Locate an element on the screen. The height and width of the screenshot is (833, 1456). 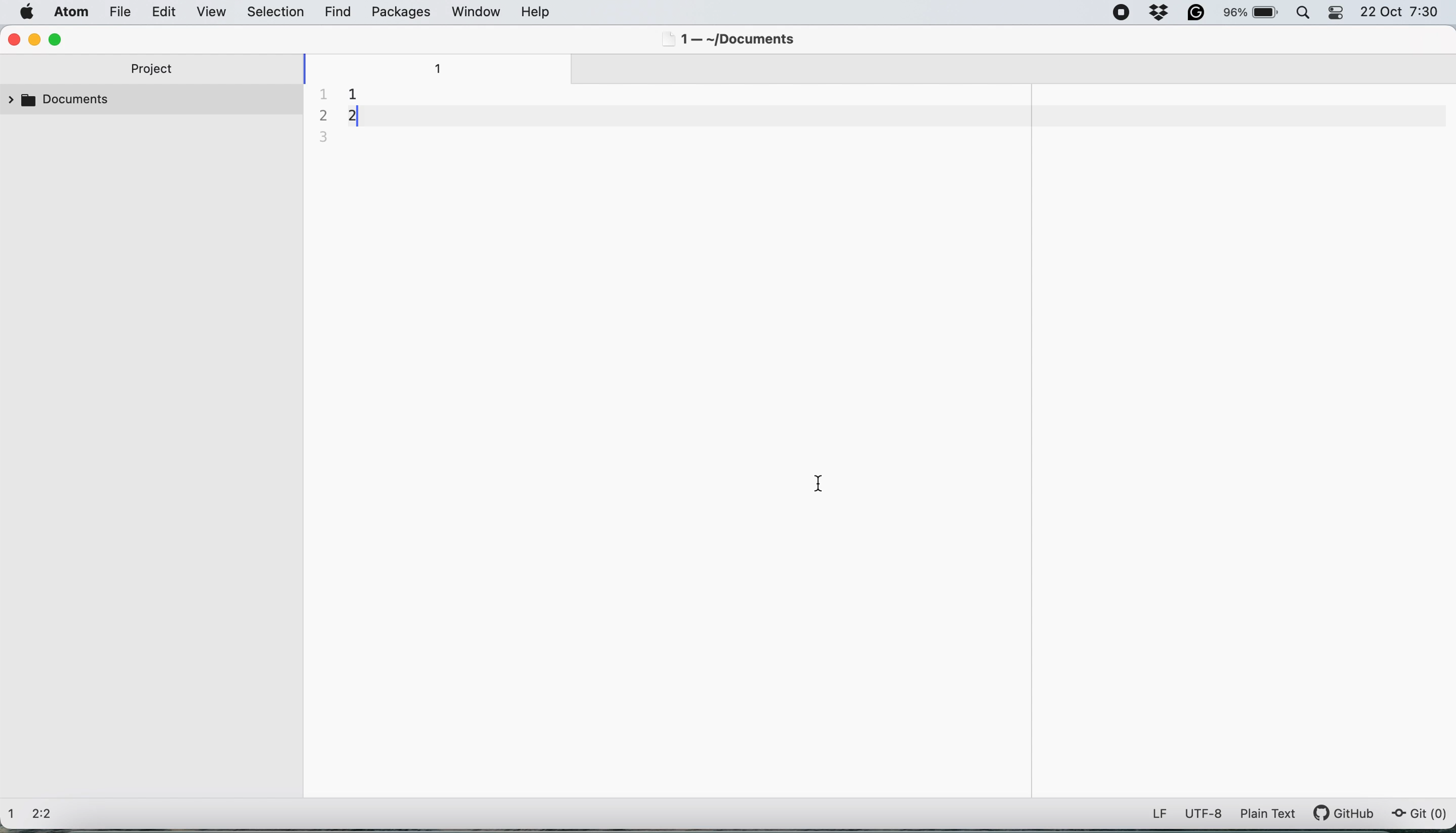
project is located at coordinates (153, 70).